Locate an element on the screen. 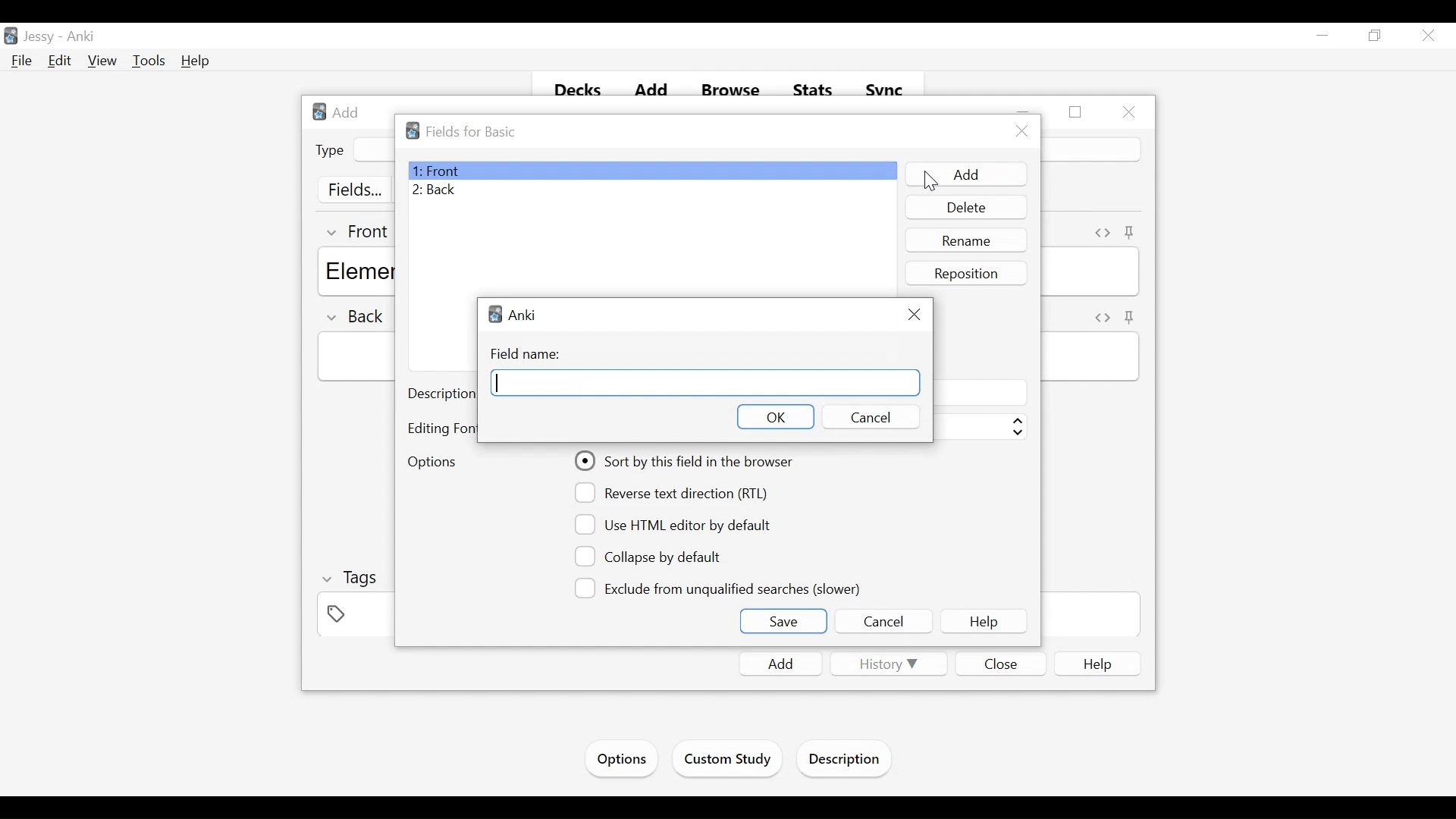 Image resolution: width=1456 pixels, height=819 pixels. View is located at coordinates (103, 61).